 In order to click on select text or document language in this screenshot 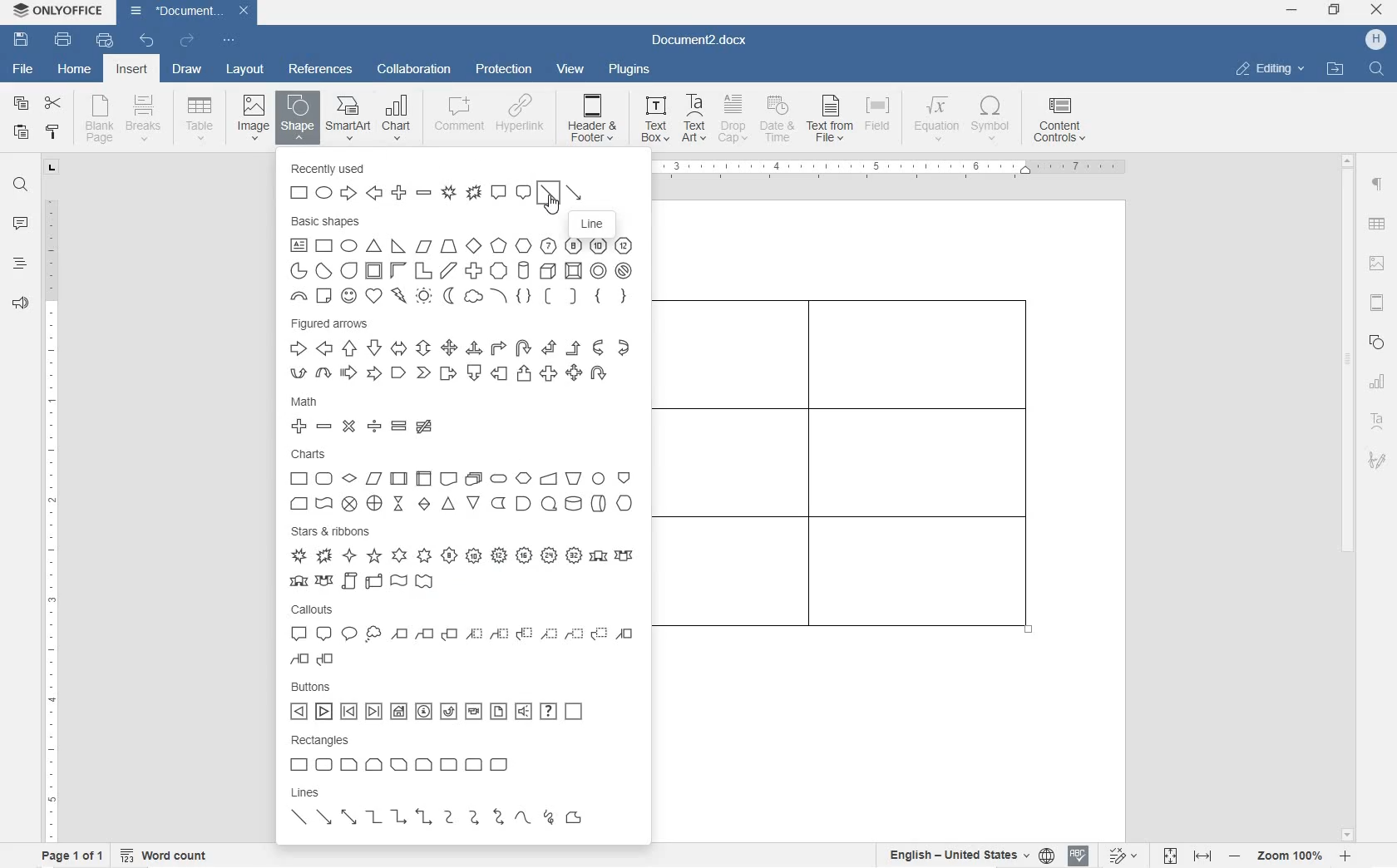, I will do `click(969, 857)`.